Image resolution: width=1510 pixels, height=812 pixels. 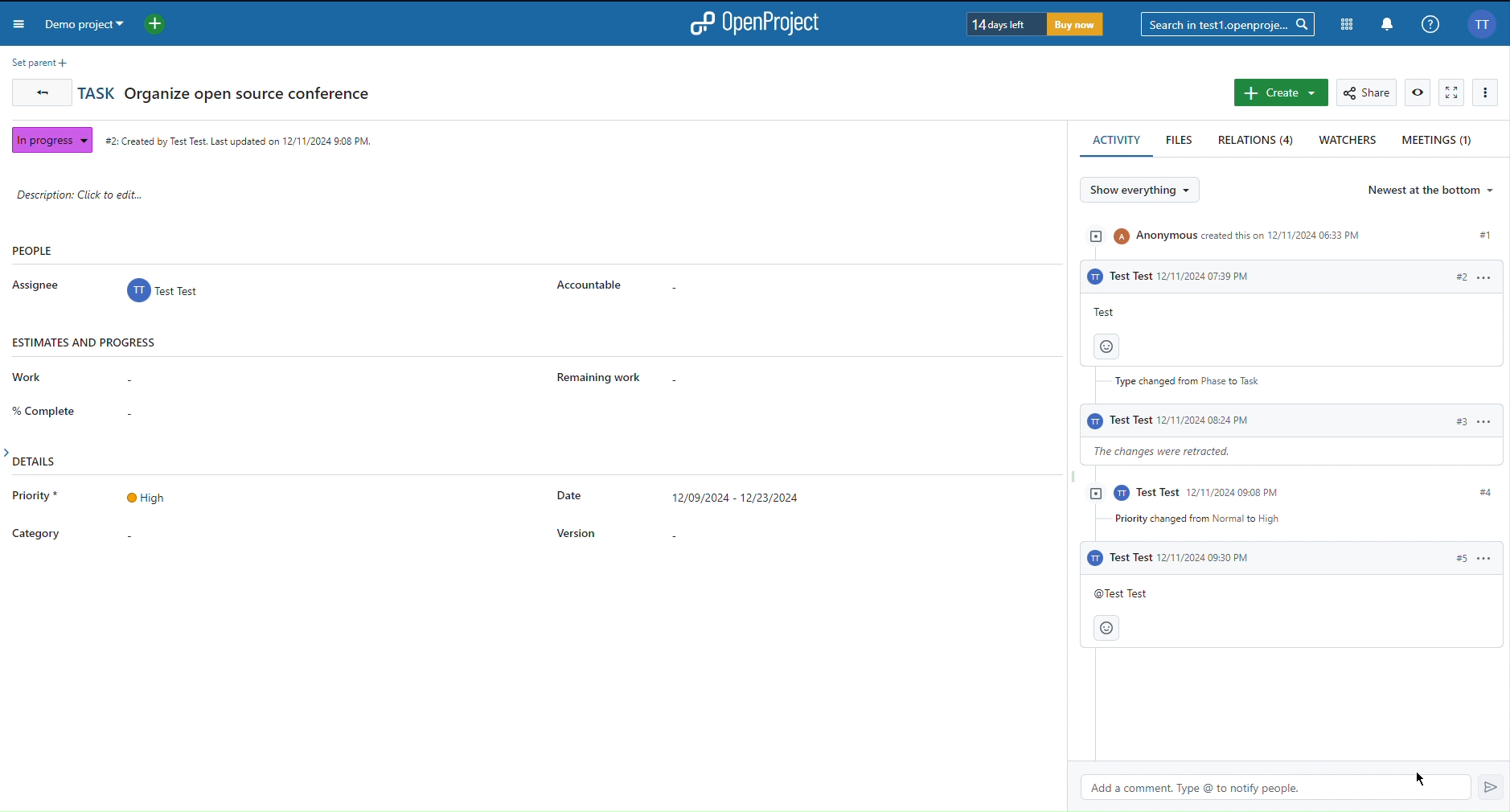 I want to click on Menu, so click(x=21, y=26).